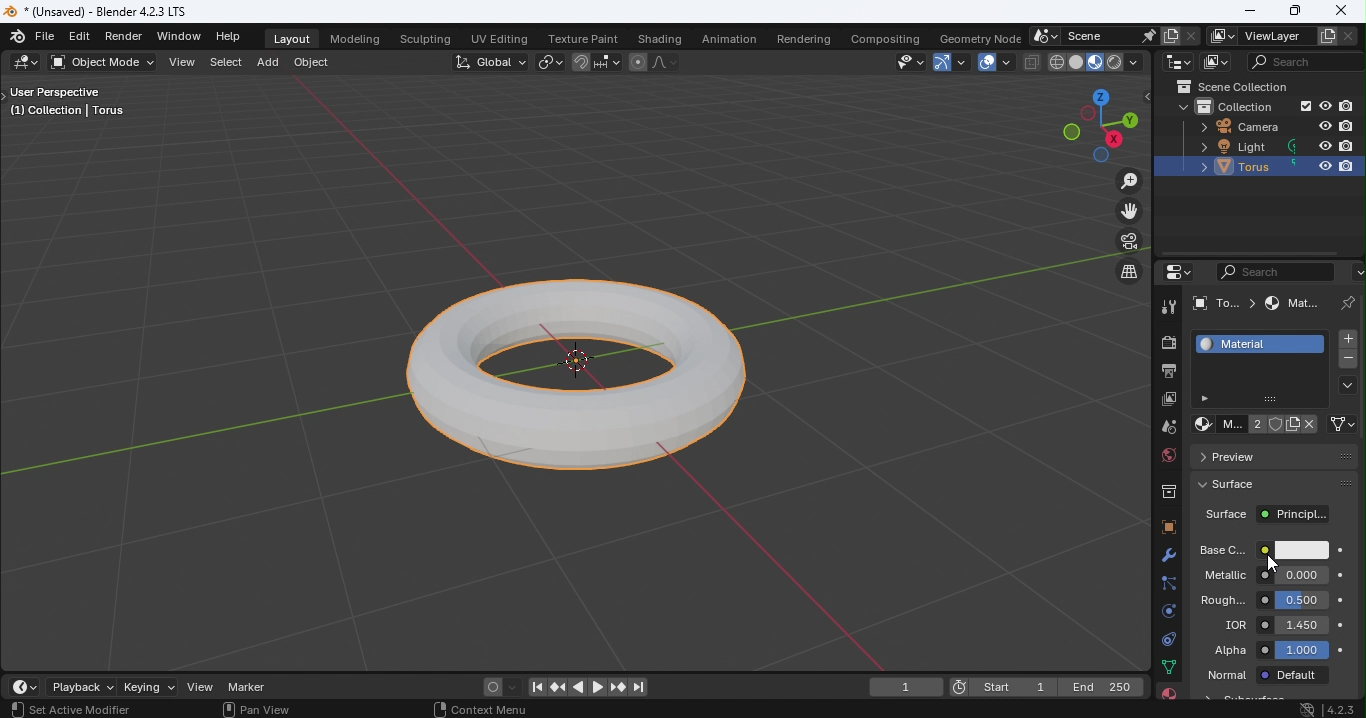 The height and width of the screenshot is (718, 1366). I want to click on Start 1, so click(1016, 687).